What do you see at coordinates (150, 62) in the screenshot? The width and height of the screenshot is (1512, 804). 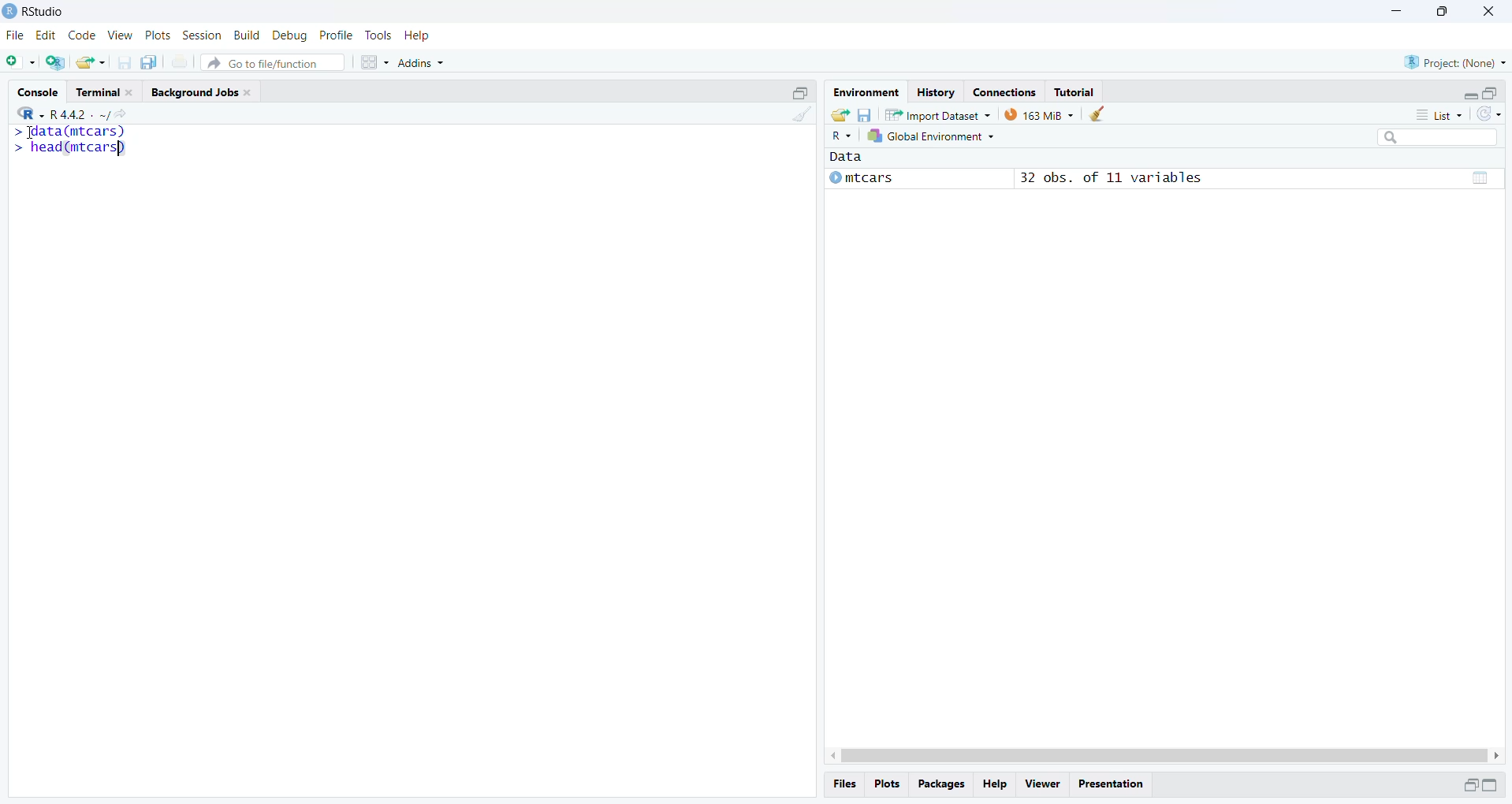 I see `copy` at bounding box center [150, 62].